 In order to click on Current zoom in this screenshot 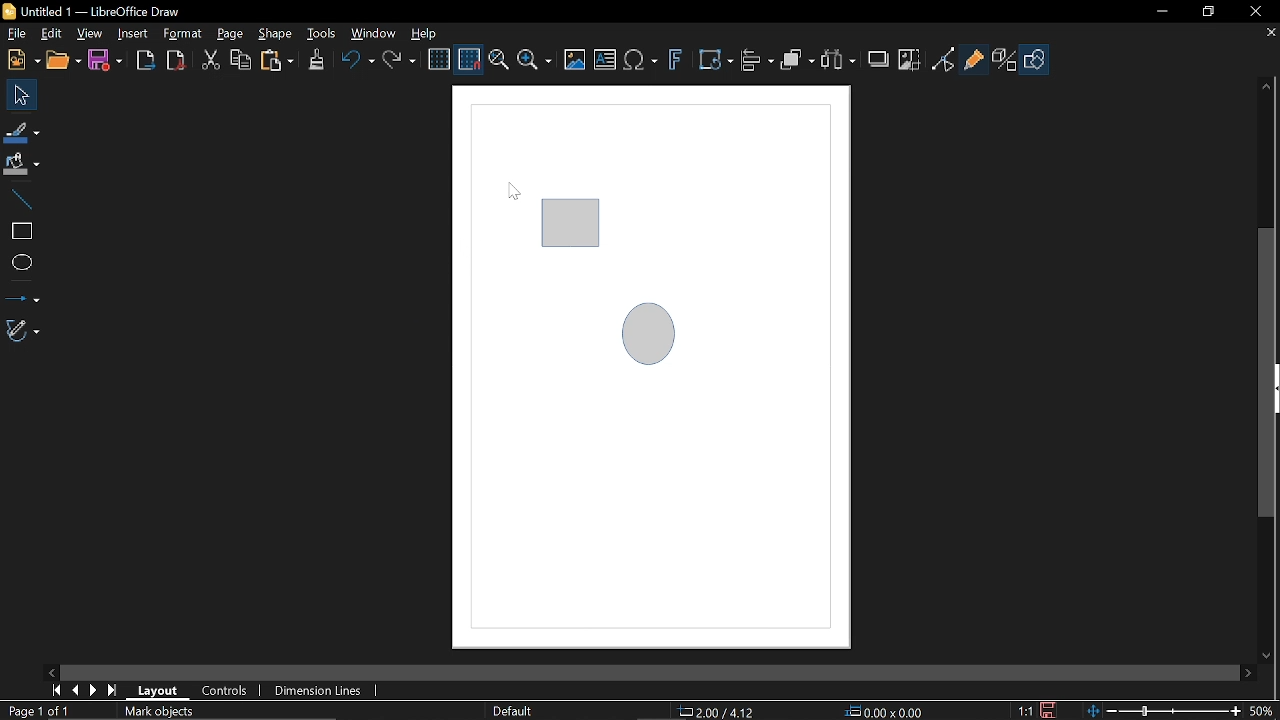, I will do `click(1266, 712)`.